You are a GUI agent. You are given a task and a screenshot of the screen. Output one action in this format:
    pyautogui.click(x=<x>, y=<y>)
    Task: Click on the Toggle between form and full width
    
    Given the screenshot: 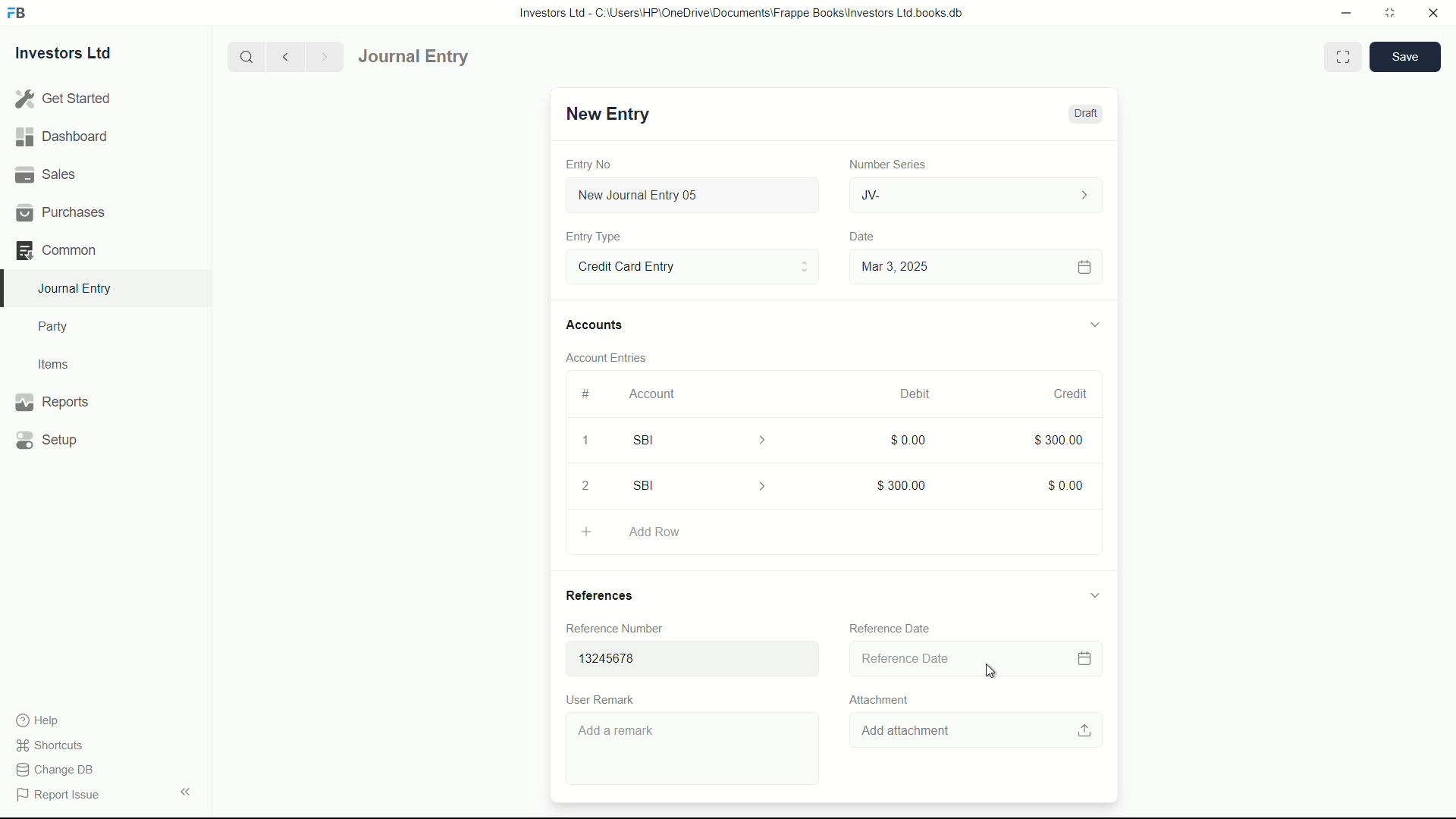 What is the action you would take?
    pyautogui.click(x=1344, y=57)
    